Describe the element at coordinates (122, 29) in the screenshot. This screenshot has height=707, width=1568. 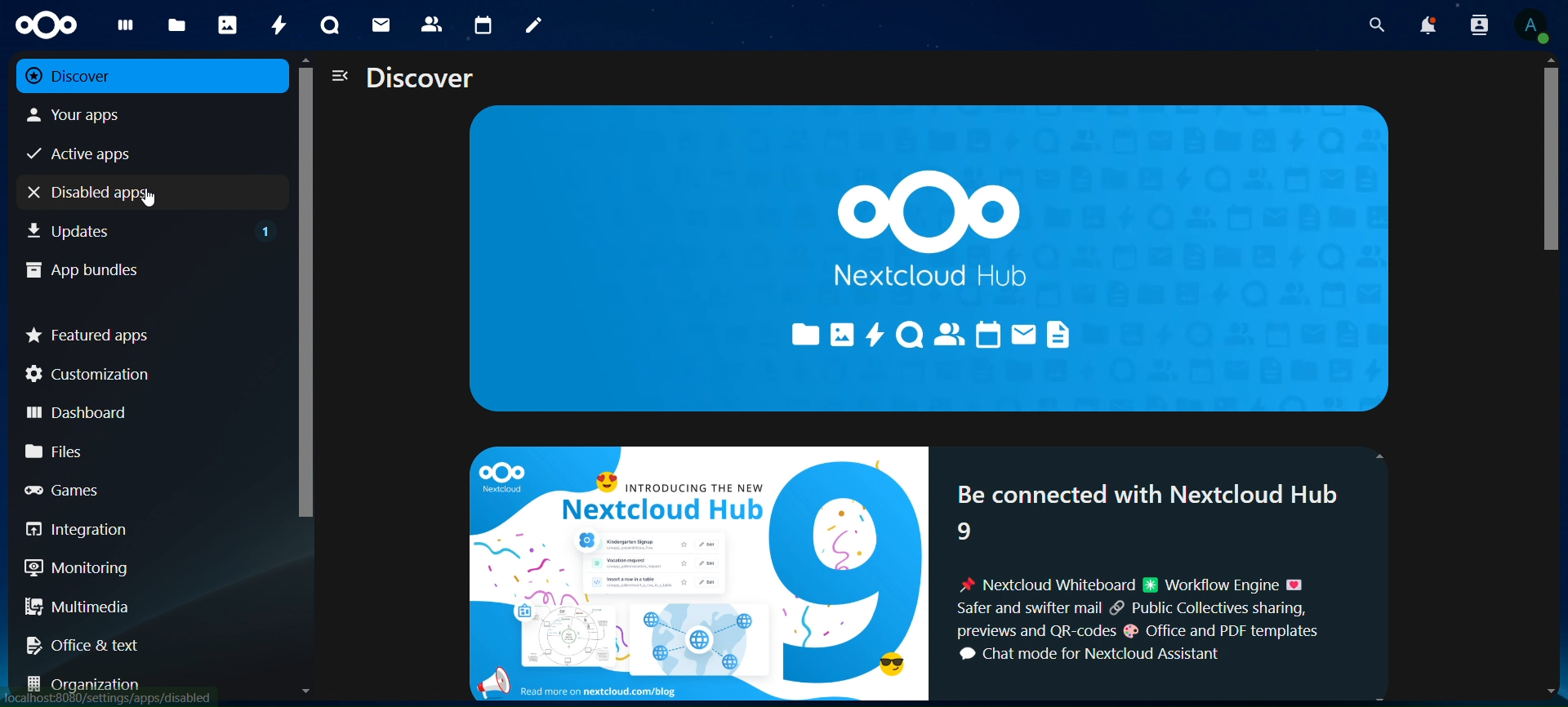
I see `dashboard` at that location.